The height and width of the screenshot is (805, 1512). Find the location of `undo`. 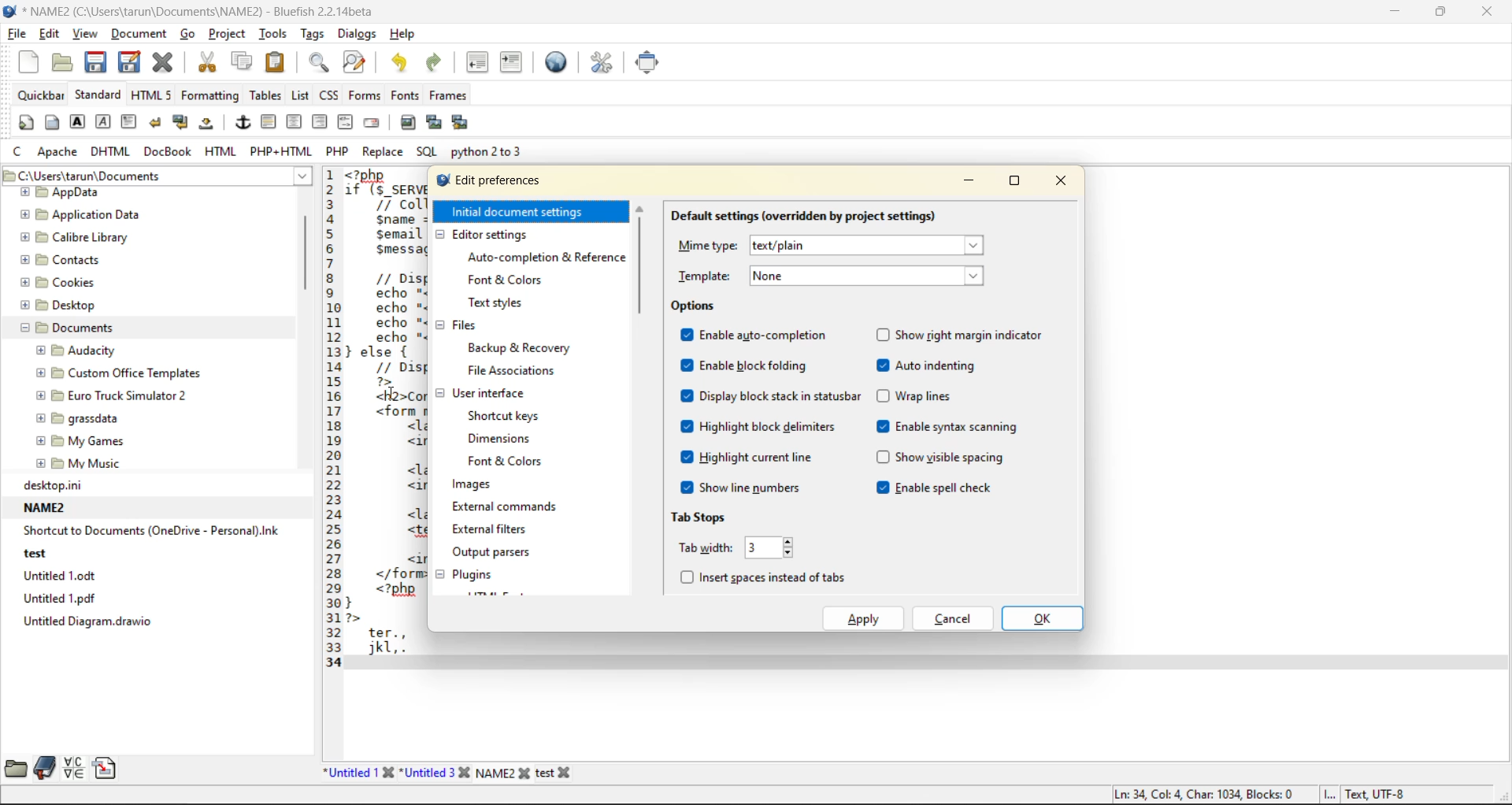

undo is located at coordinates (399, 61).